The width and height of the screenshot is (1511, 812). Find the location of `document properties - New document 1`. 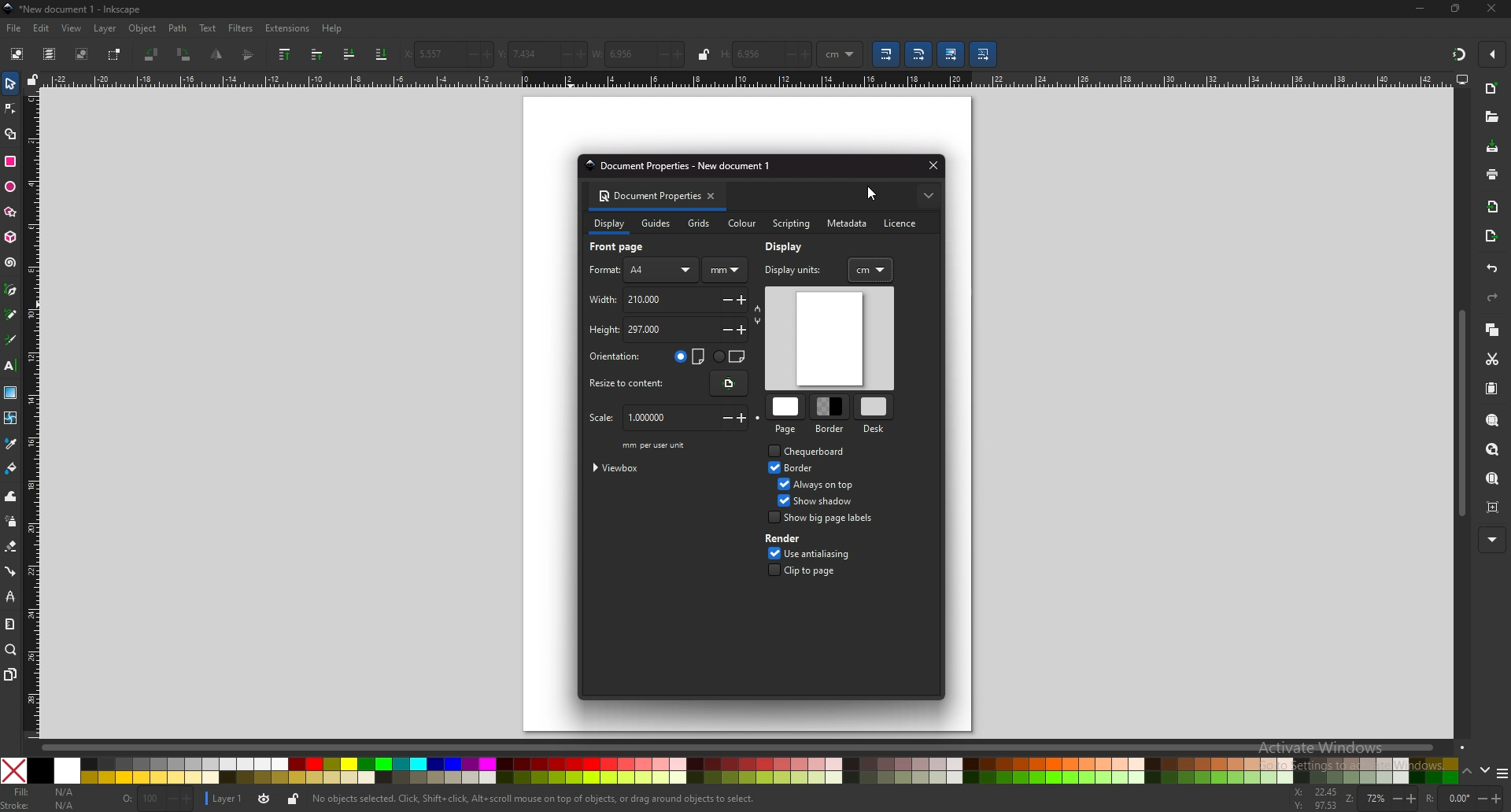

document properties - New document 1 is located at coordinates (682, 166).